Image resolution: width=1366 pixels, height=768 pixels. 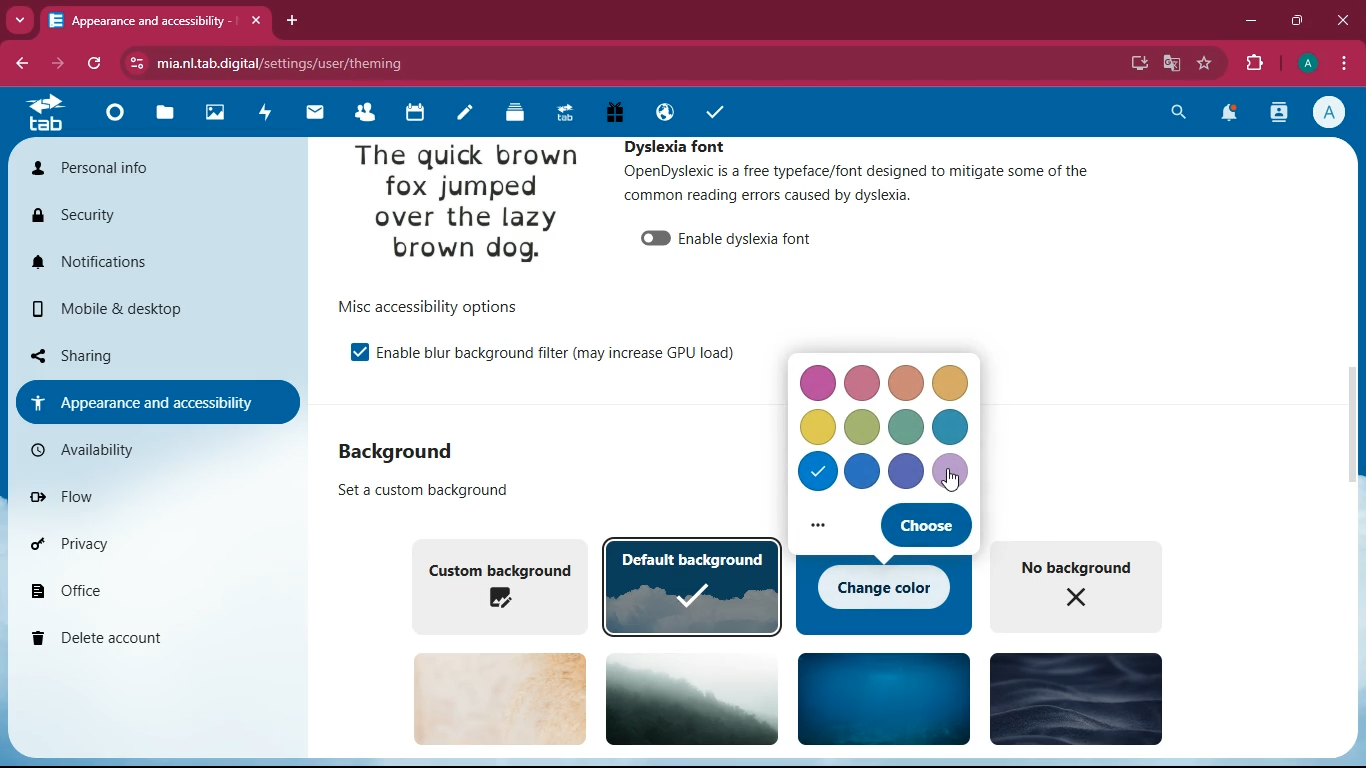 I want to click on desktop, so click(x=1138, y=63).